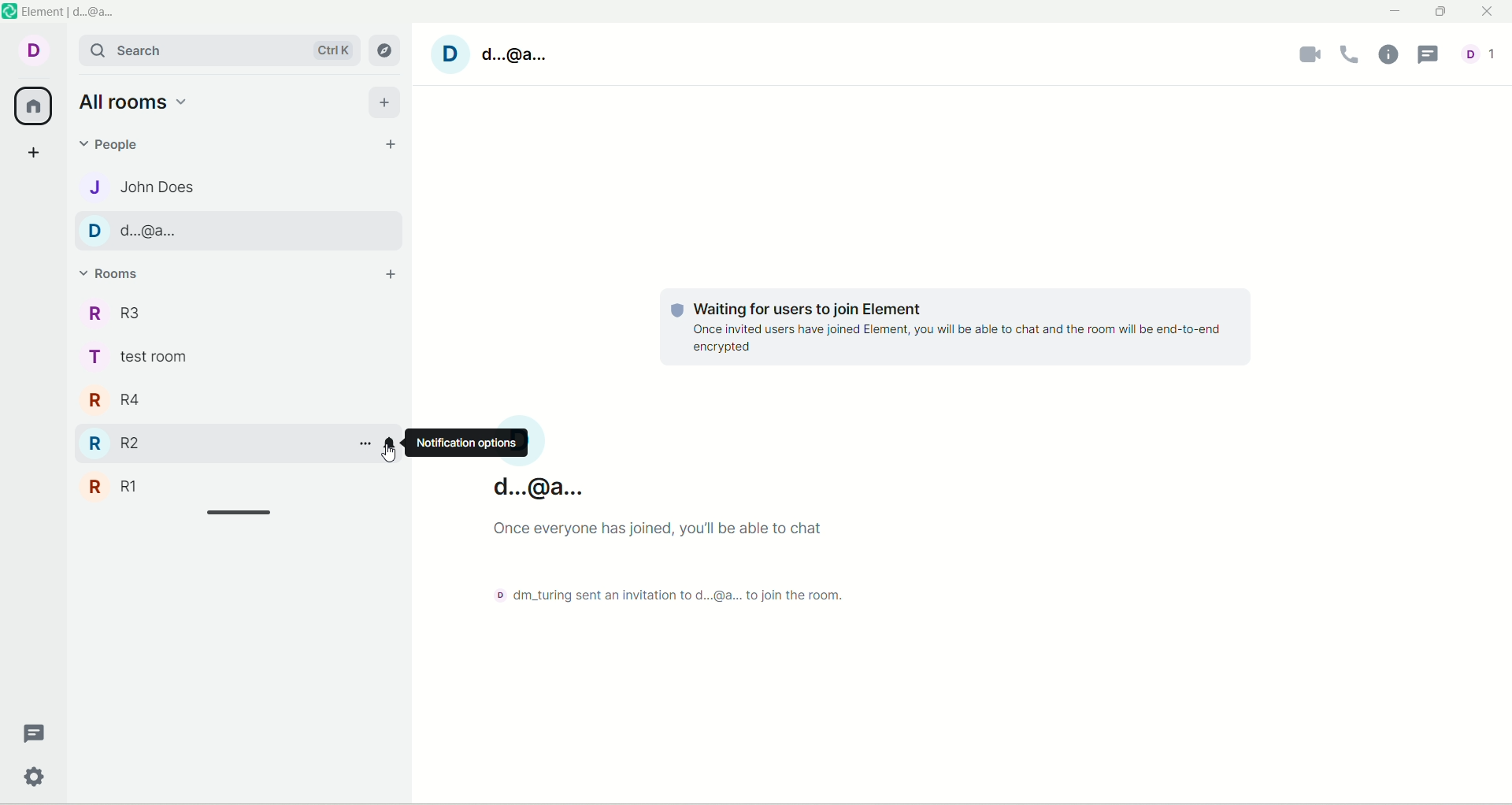 Image resolution: width=1512 pixels, height=805 pixels. What do you see at coordinates (145, 401) in the screenshot?
I see `room 4` at bounding box center [145, 401].